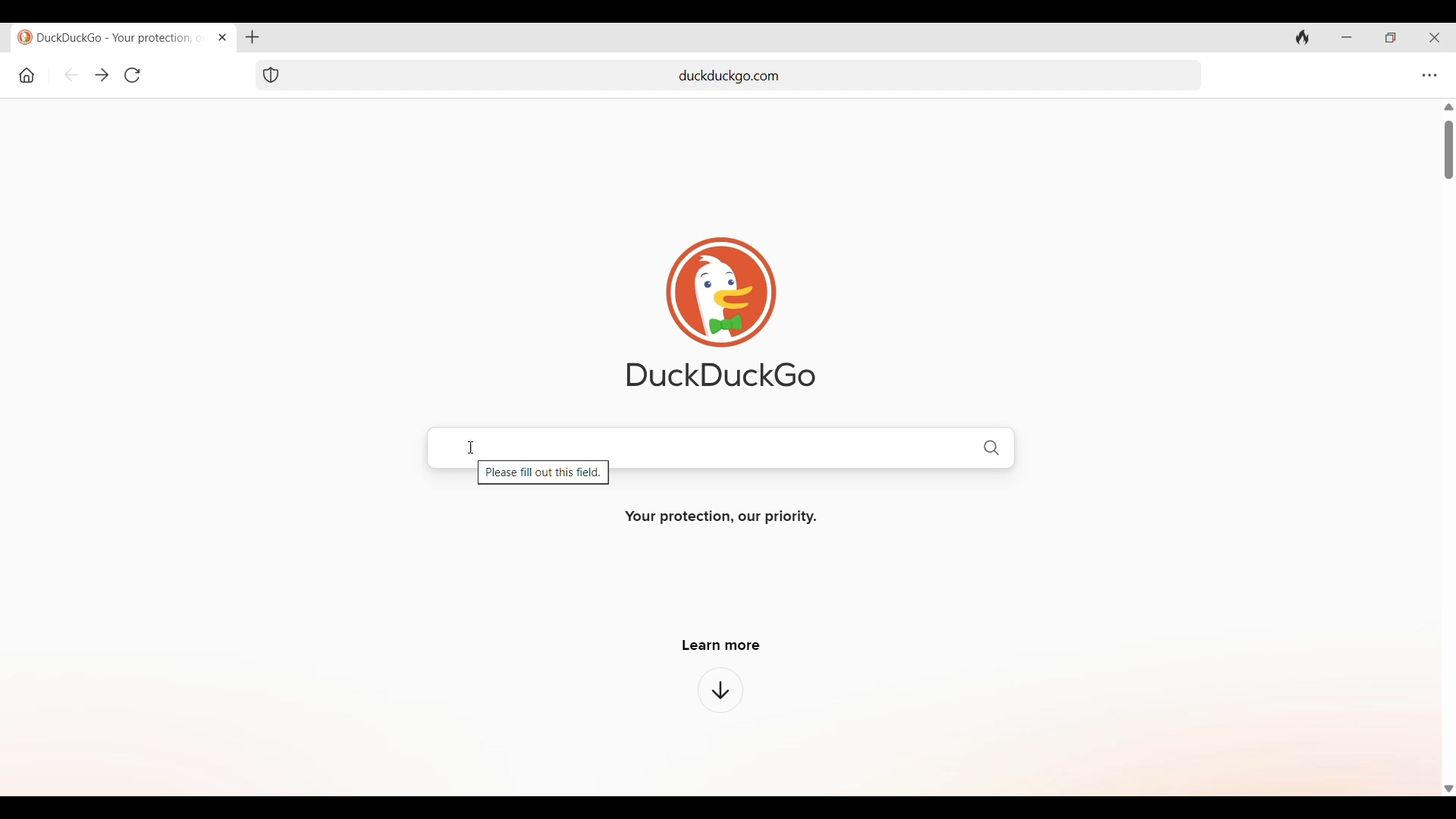 The image size is (1456, 819). Describe the element at coordinates (720, 689) in the screenshot. I see `Learn more about browser` at that location.